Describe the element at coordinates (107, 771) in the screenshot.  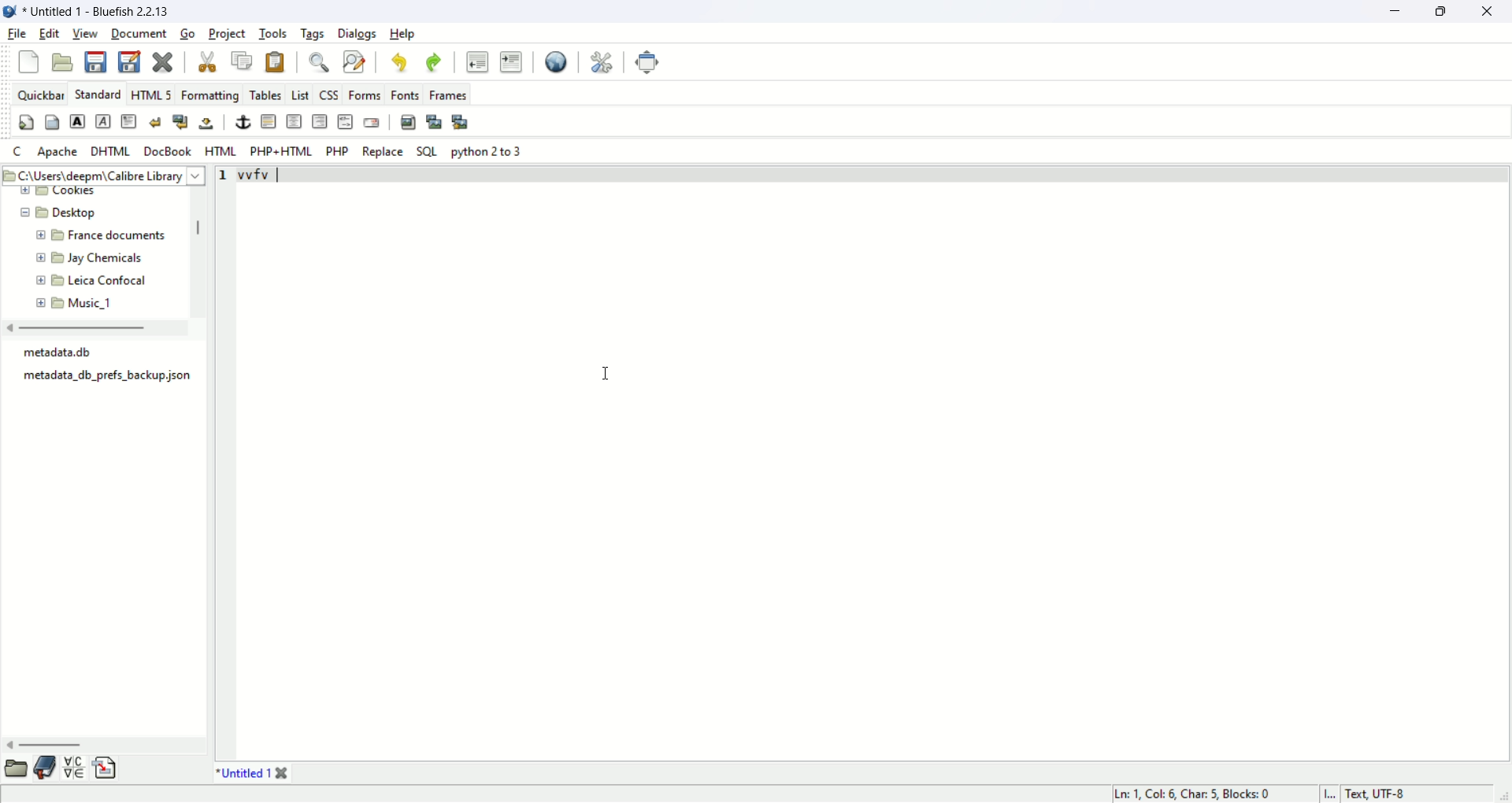
I see `snippets` at that location.